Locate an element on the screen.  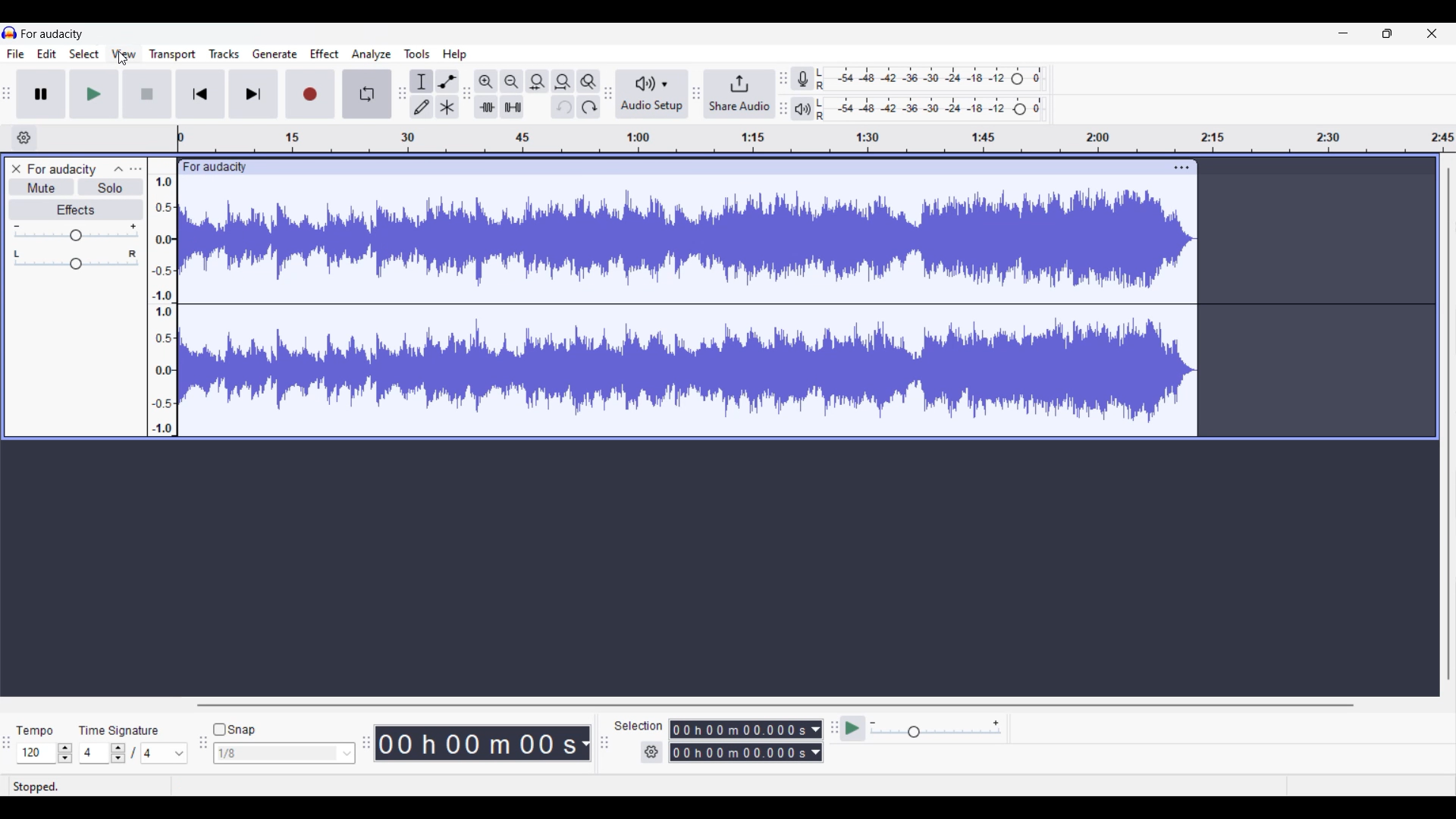
Track settings is located at coordinates (1182, 168).